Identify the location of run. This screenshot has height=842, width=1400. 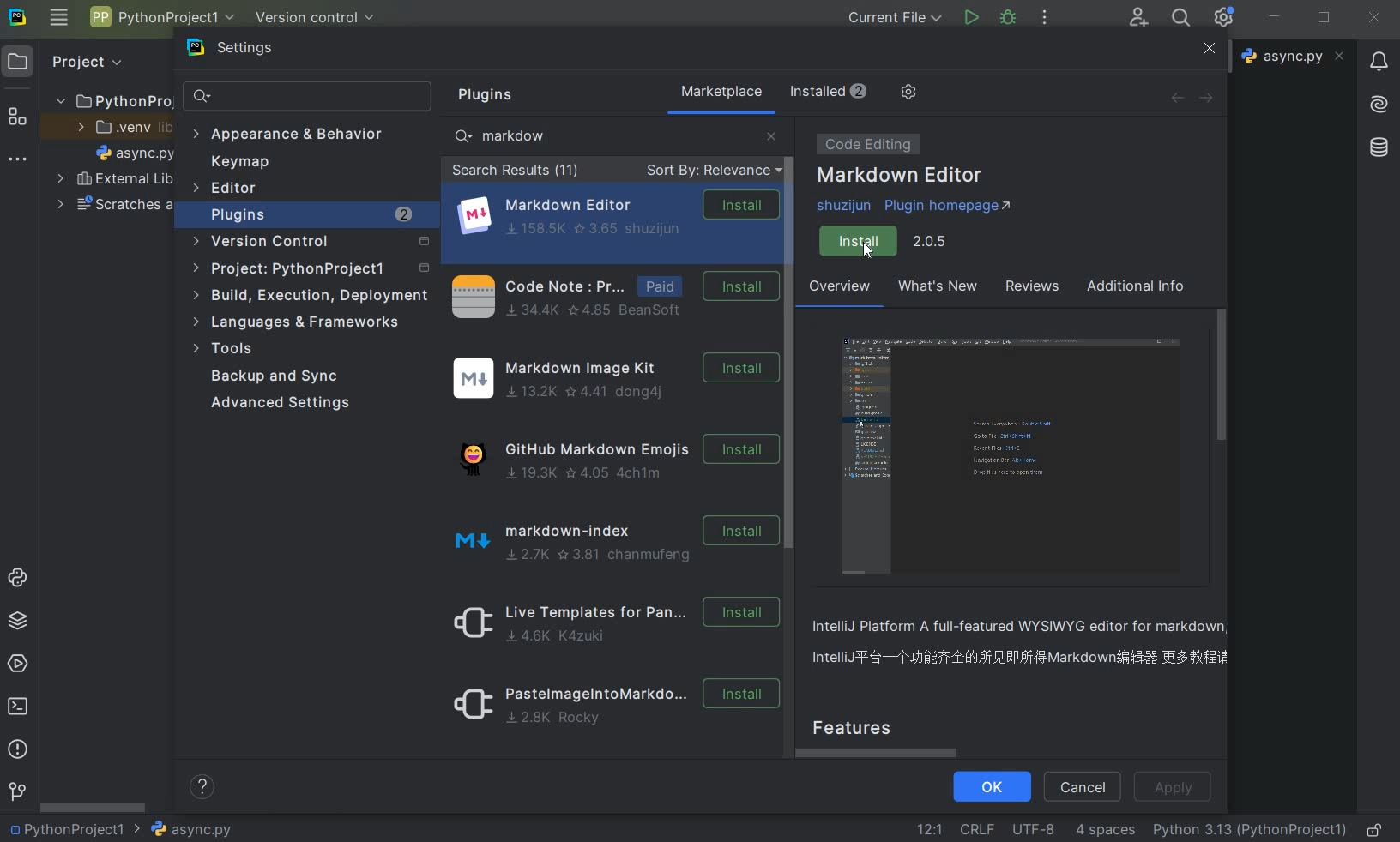
(970, 17).